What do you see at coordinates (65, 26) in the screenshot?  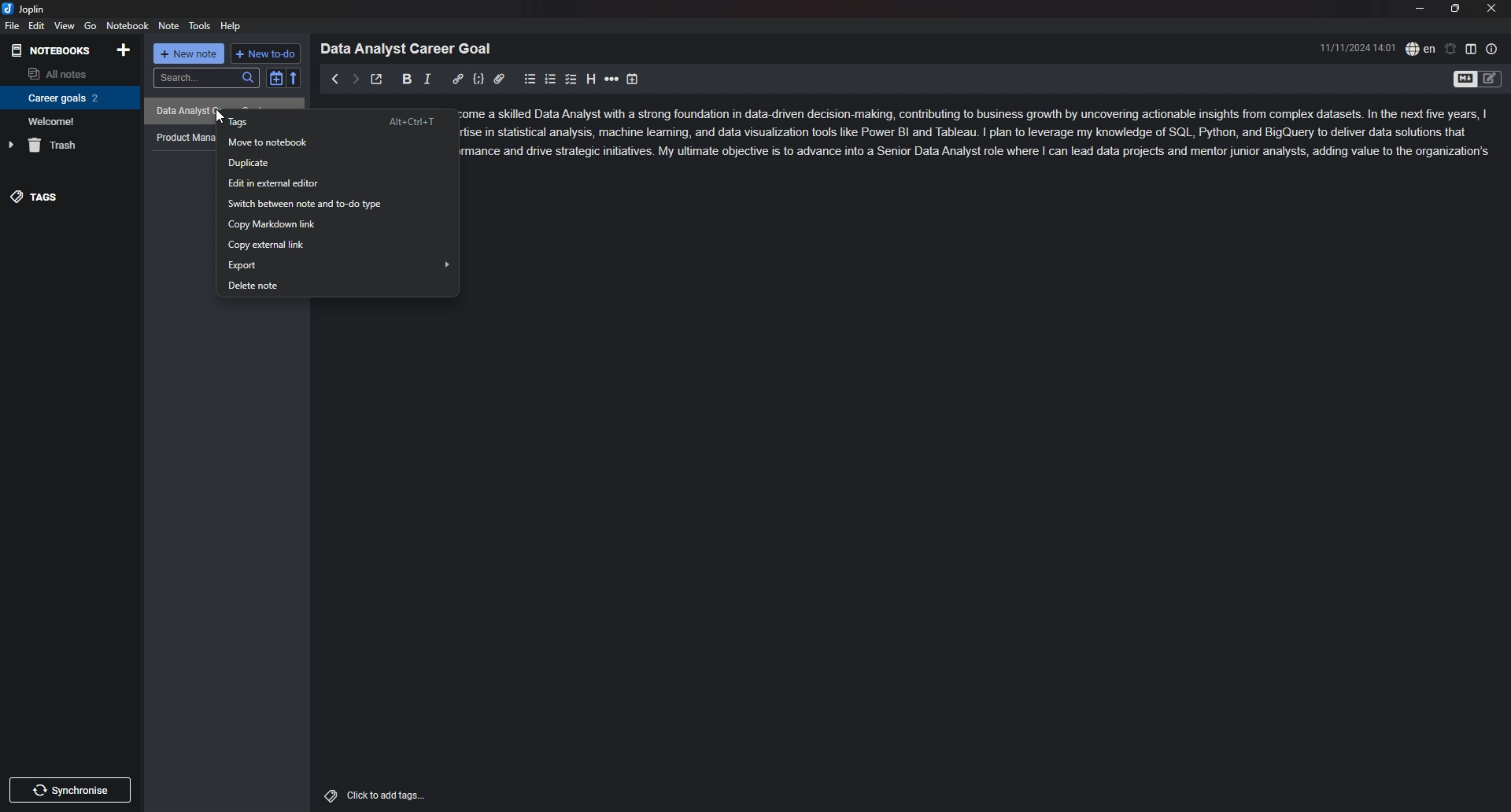 I see `view` at bounding box center [65, 26].